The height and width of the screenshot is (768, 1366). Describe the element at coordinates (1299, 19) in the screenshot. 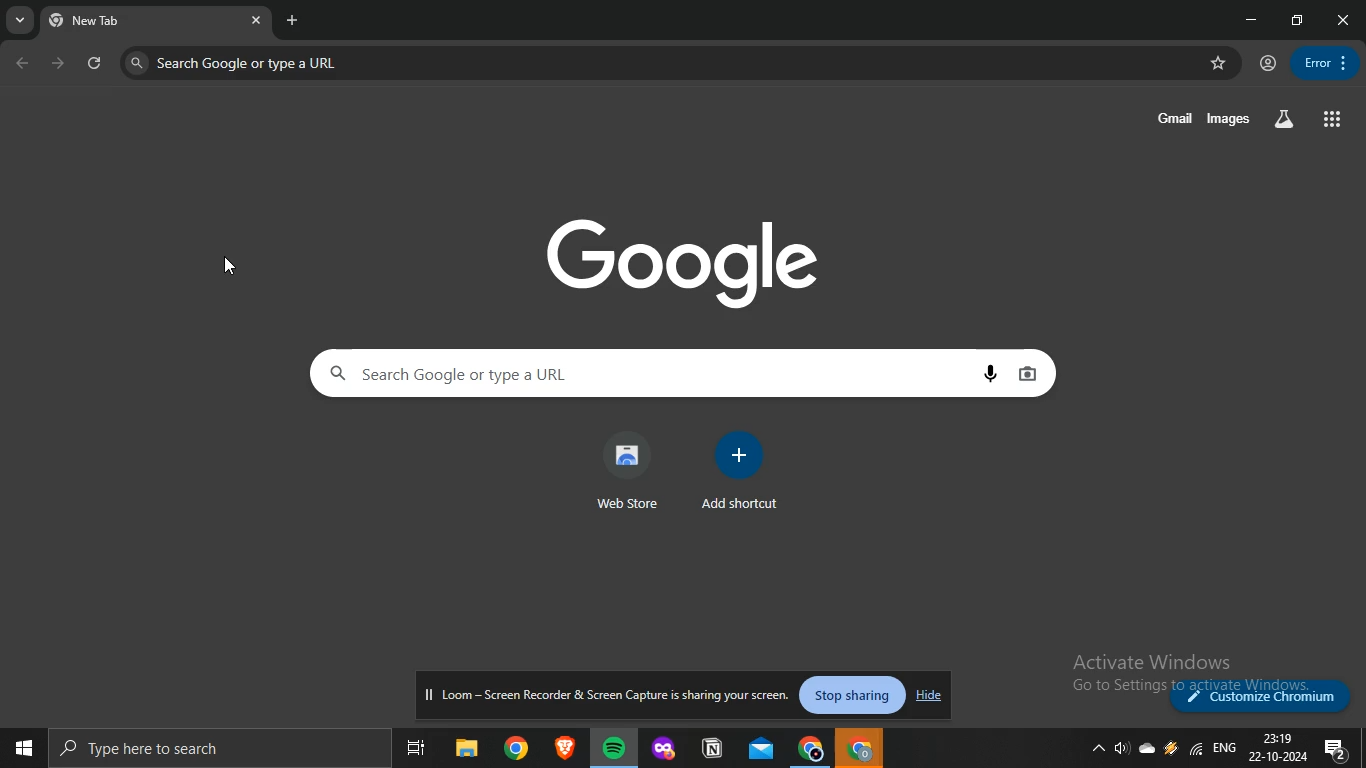

I see `restore down` at that location.